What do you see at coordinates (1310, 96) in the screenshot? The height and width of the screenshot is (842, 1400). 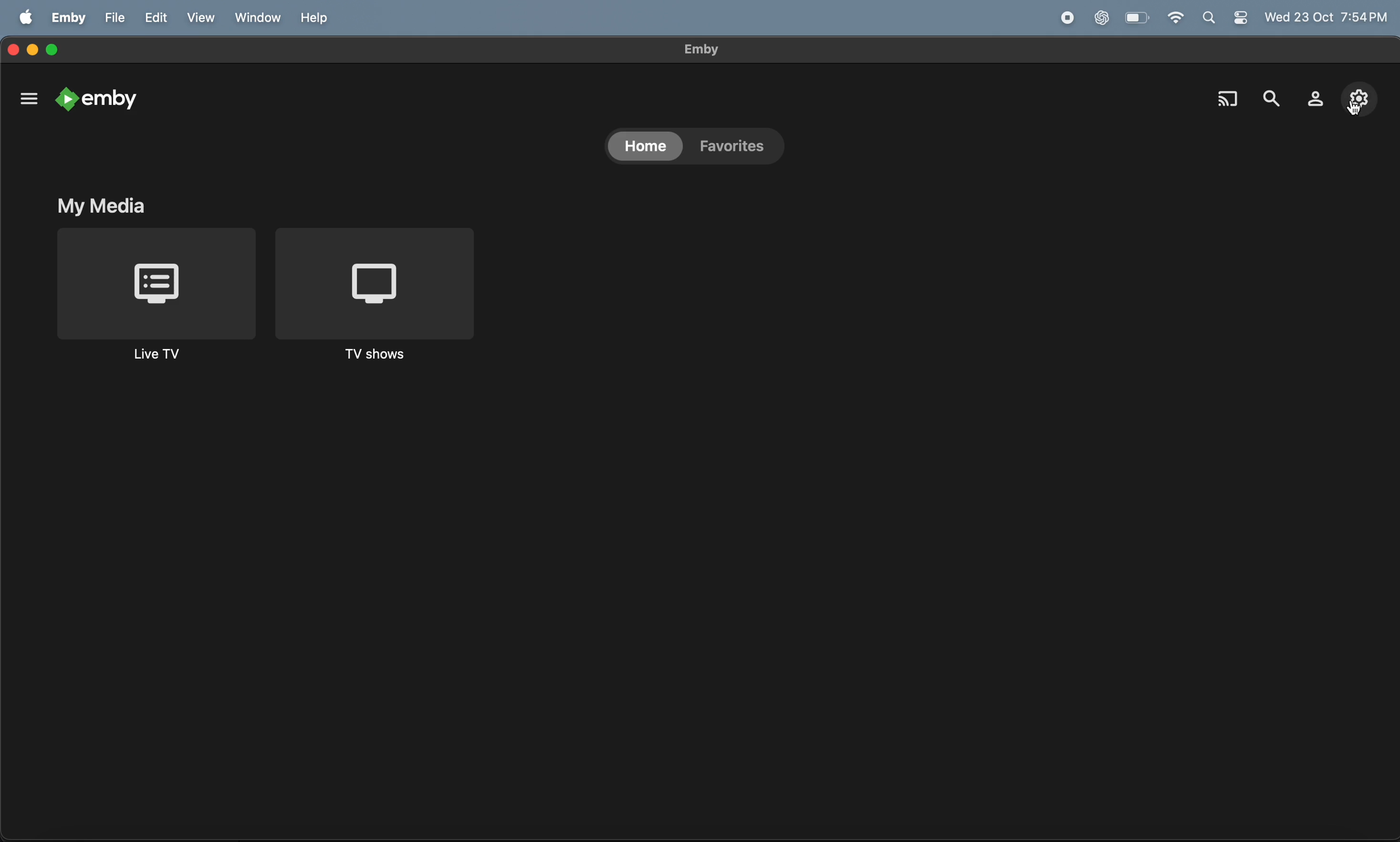 I see `profile` at bounding box center [1310, 96].